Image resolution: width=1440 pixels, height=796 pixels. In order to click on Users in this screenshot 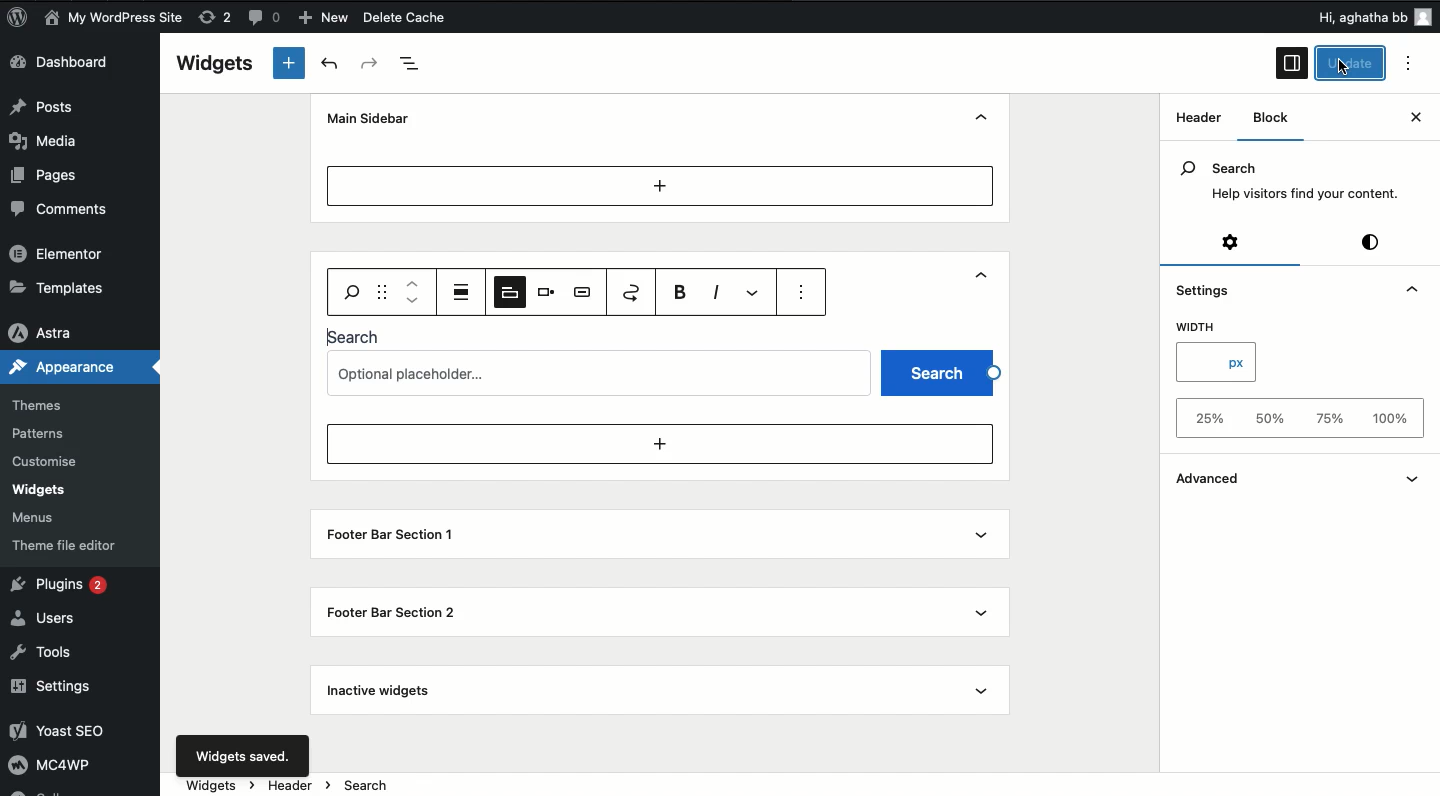, I will do `click(52, 617)`.